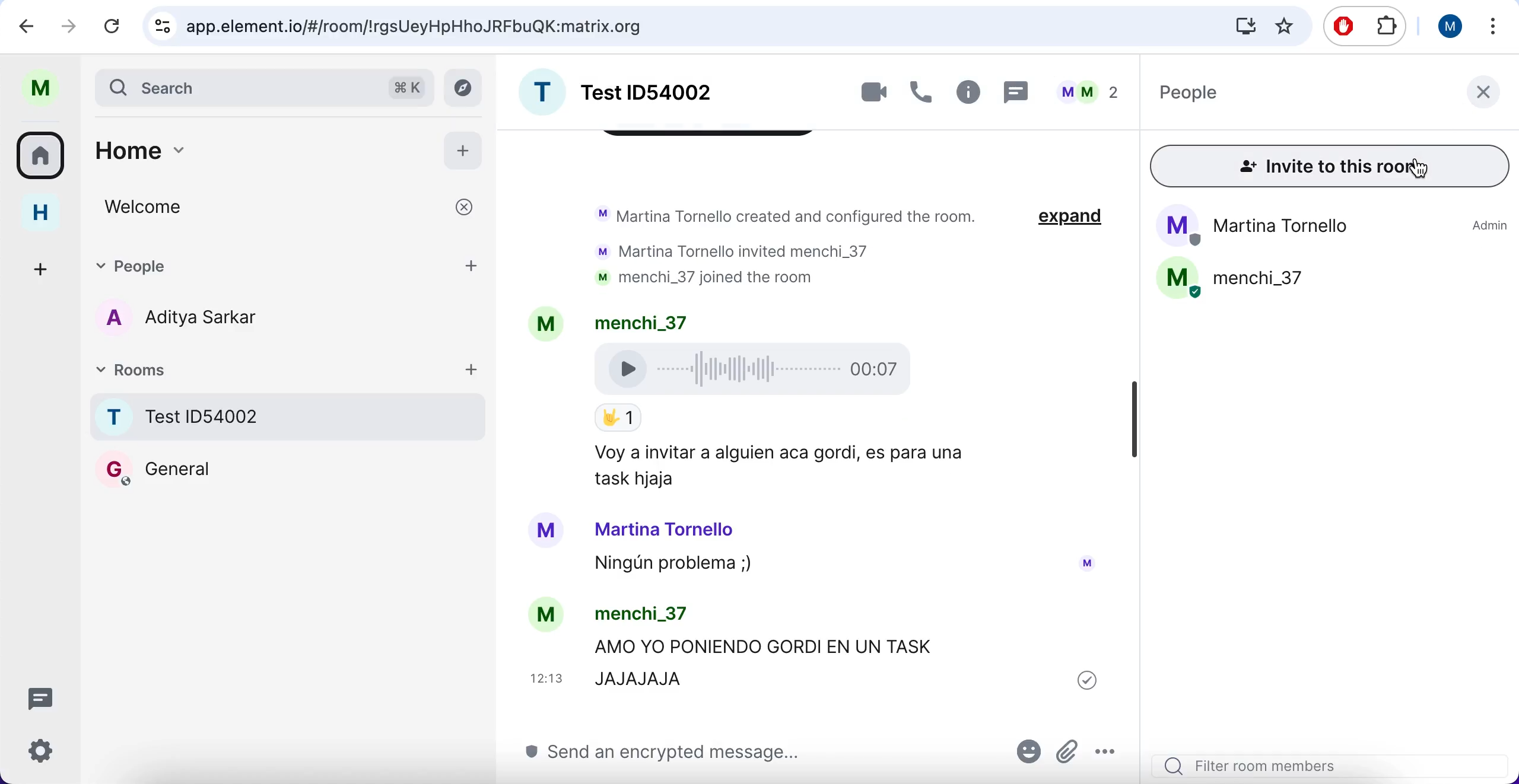  Describe the element at coordinates (922, 95) in the screenshot. I see `call` at that location.